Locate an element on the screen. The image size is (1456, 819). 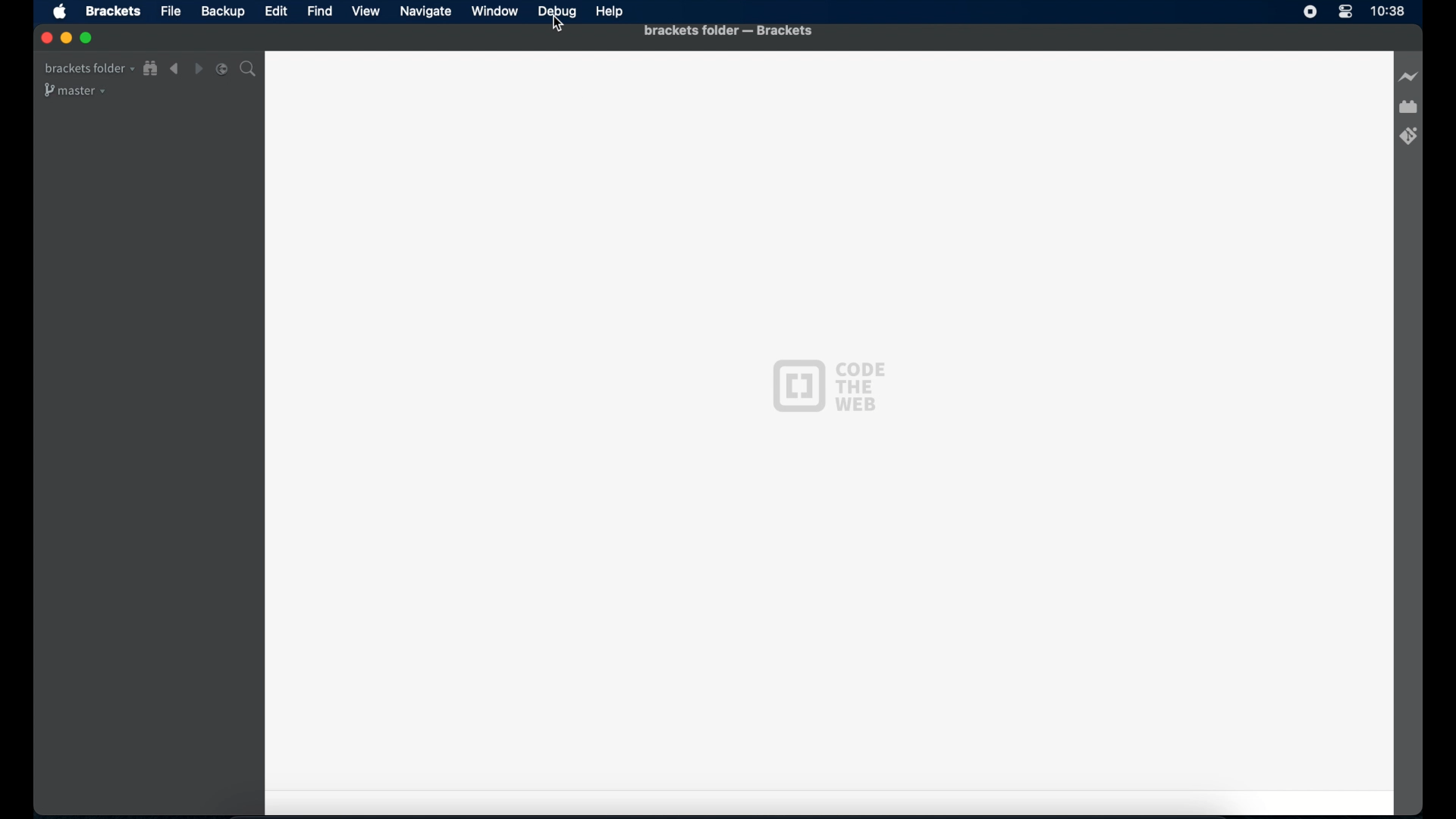
maximize is located at coordinates (87, 39).